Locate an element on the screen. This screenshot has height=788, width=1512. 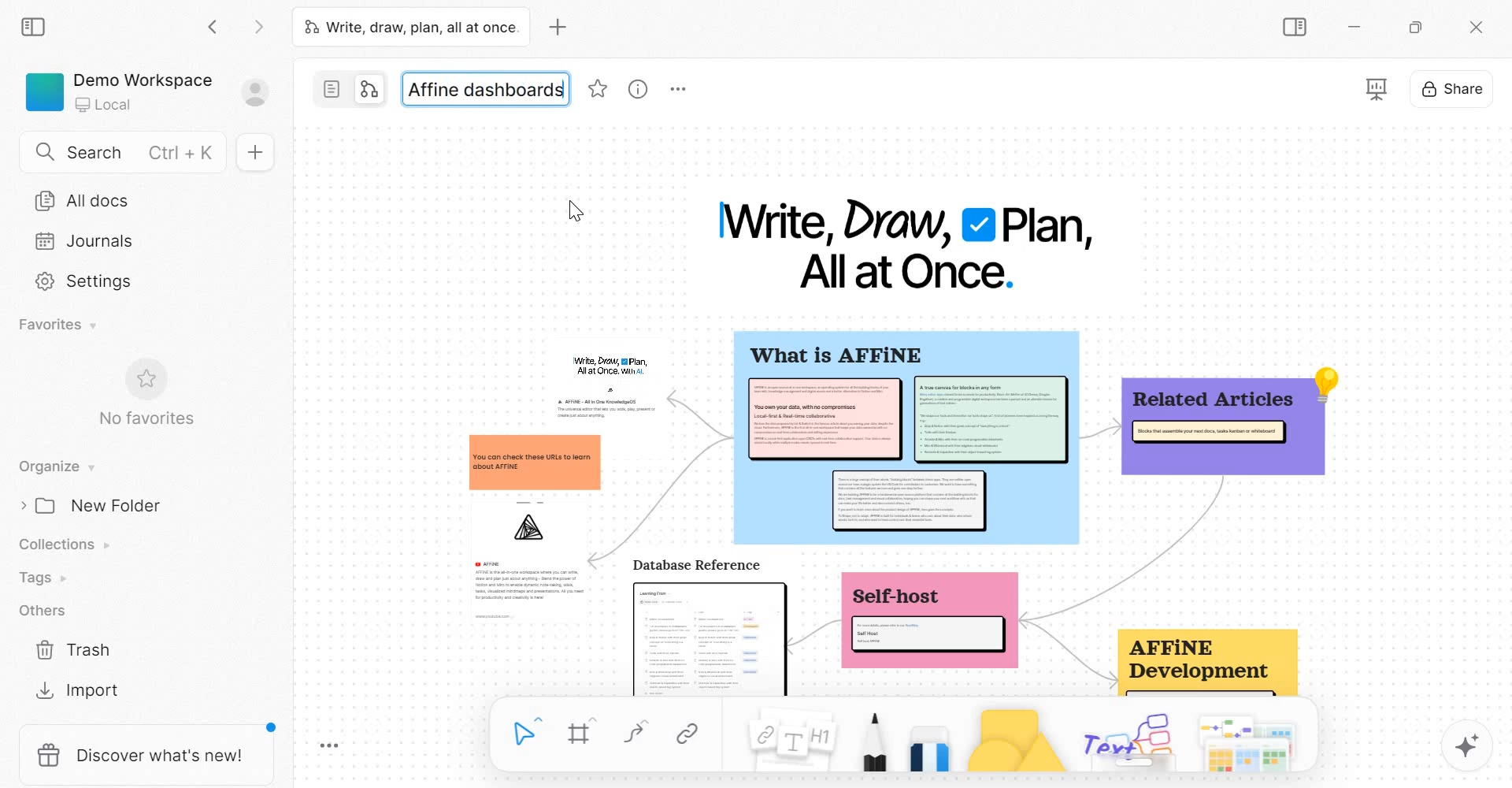
Write, draw, plan, all at once is located at coordinates (410, 28).